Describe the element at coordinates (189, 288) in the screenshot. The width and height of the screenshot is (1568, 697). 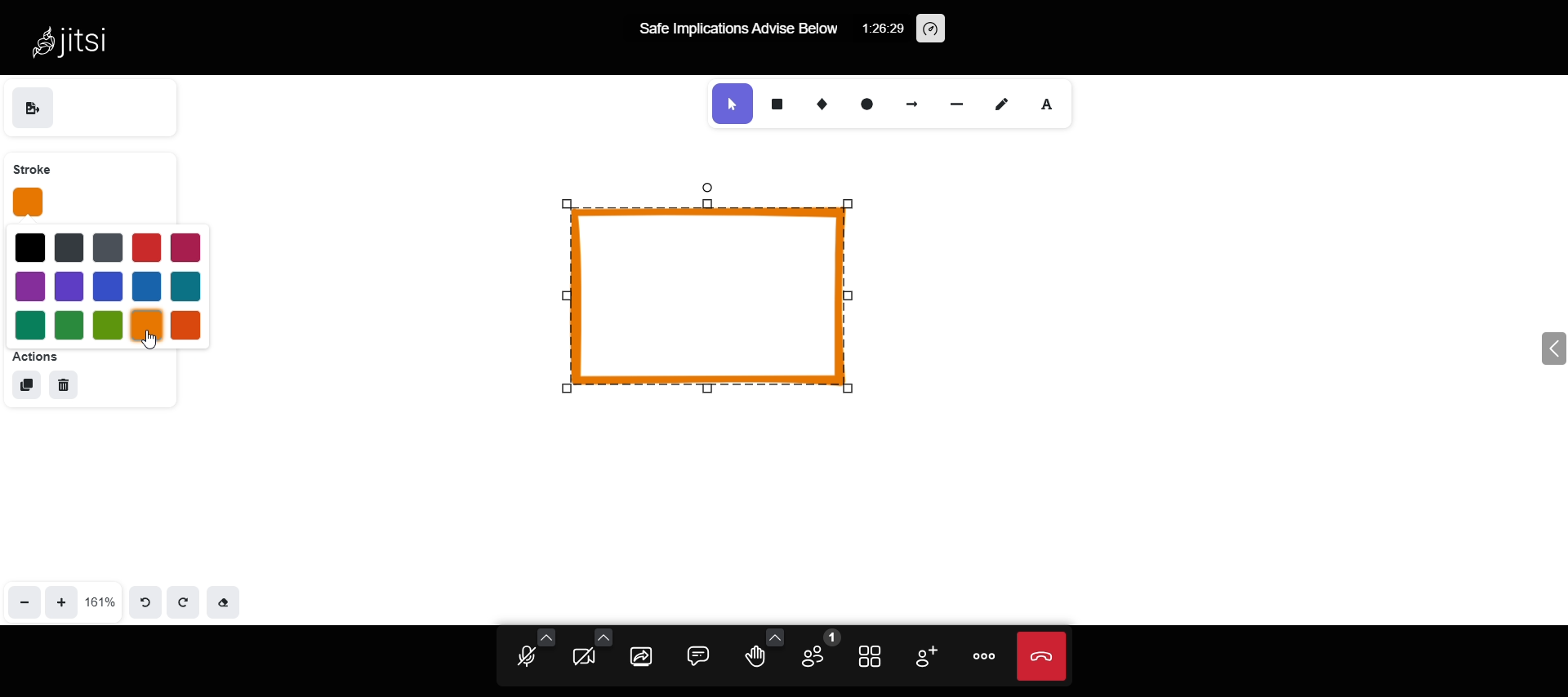
I see `blue 3` at that location.